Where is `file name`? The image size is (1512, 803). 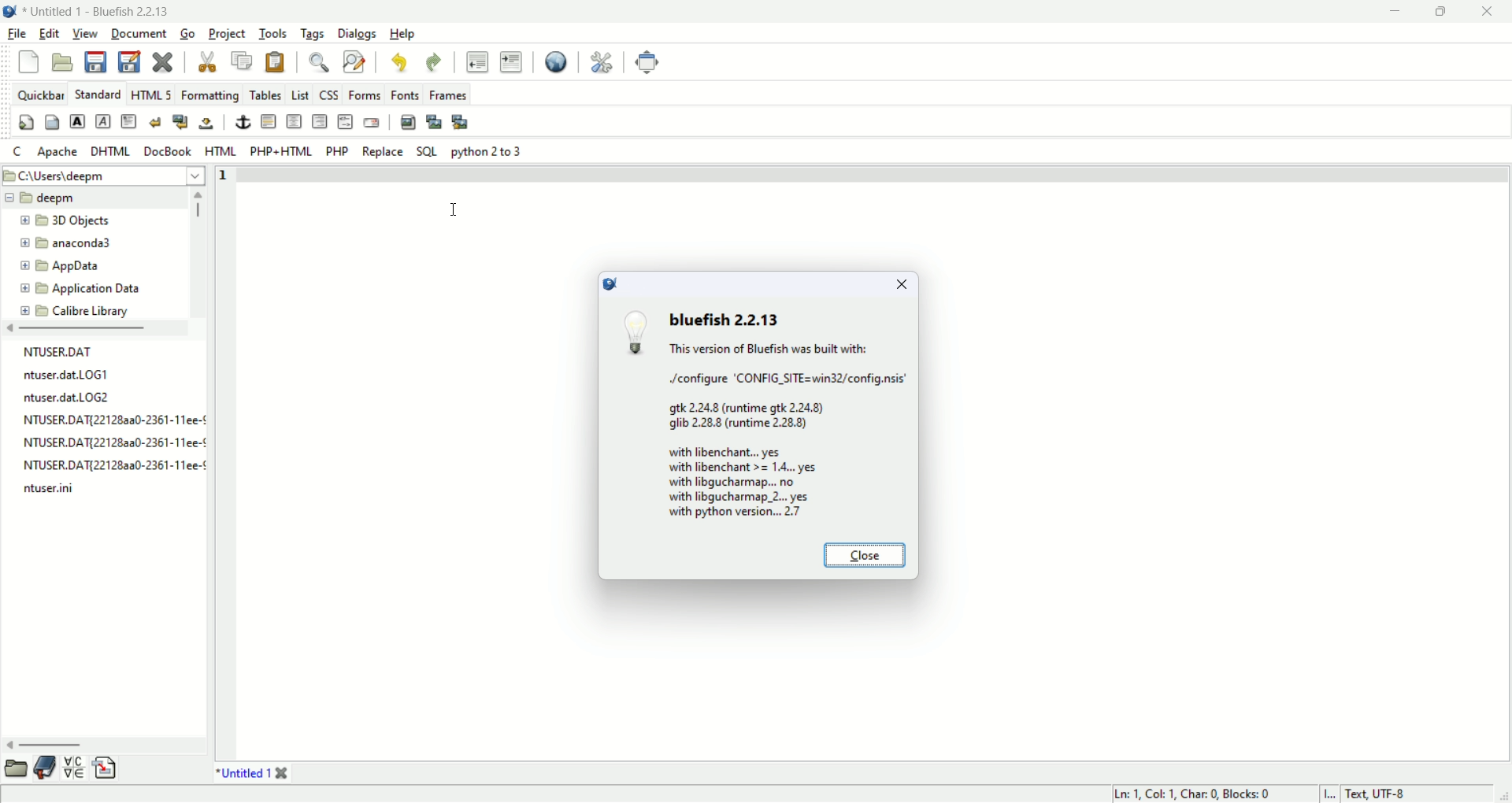 file name is located at coordinates (70, 398).